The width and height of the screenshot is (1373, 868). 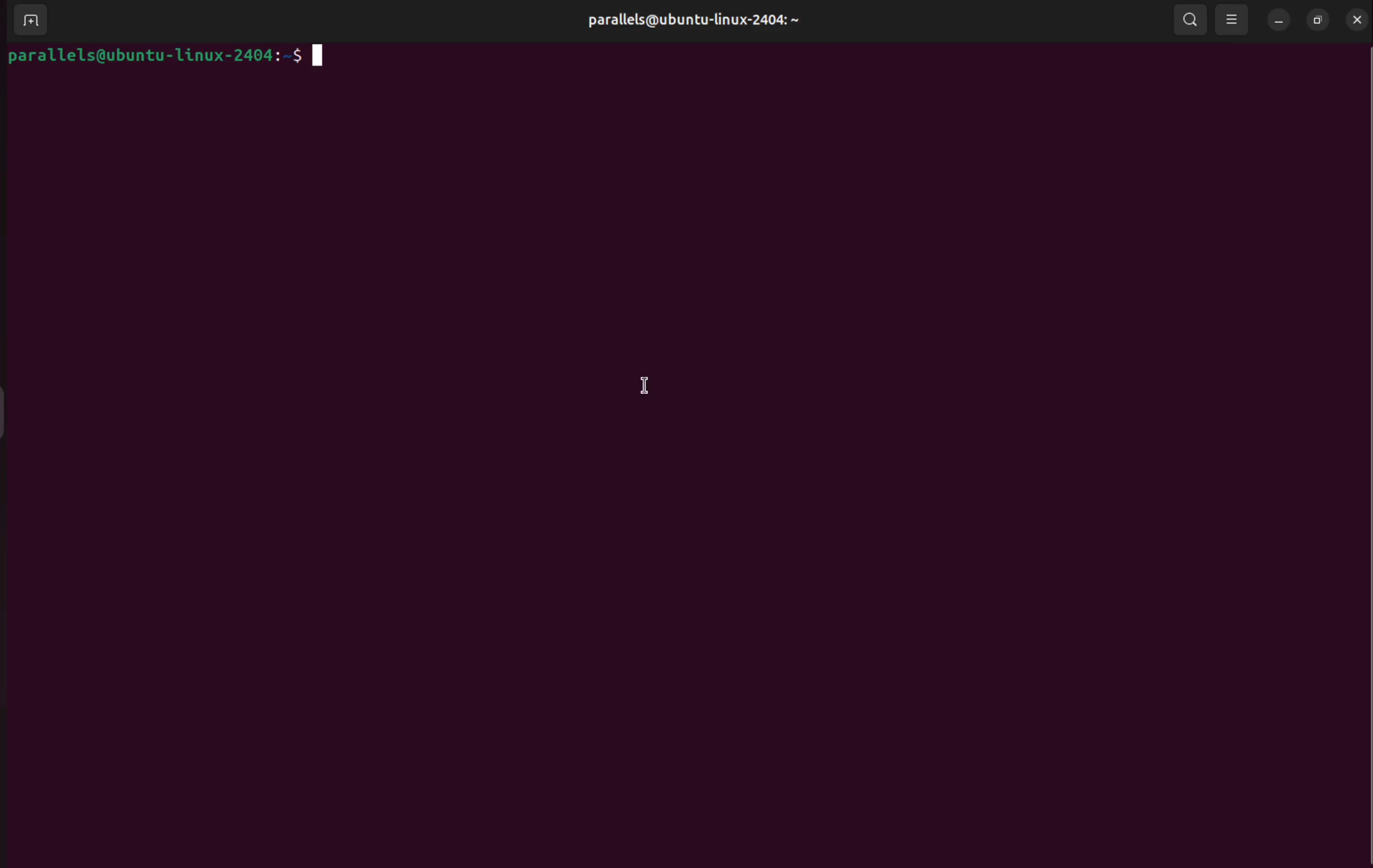 I want to click on add terminal, so click(x=36, y=19).